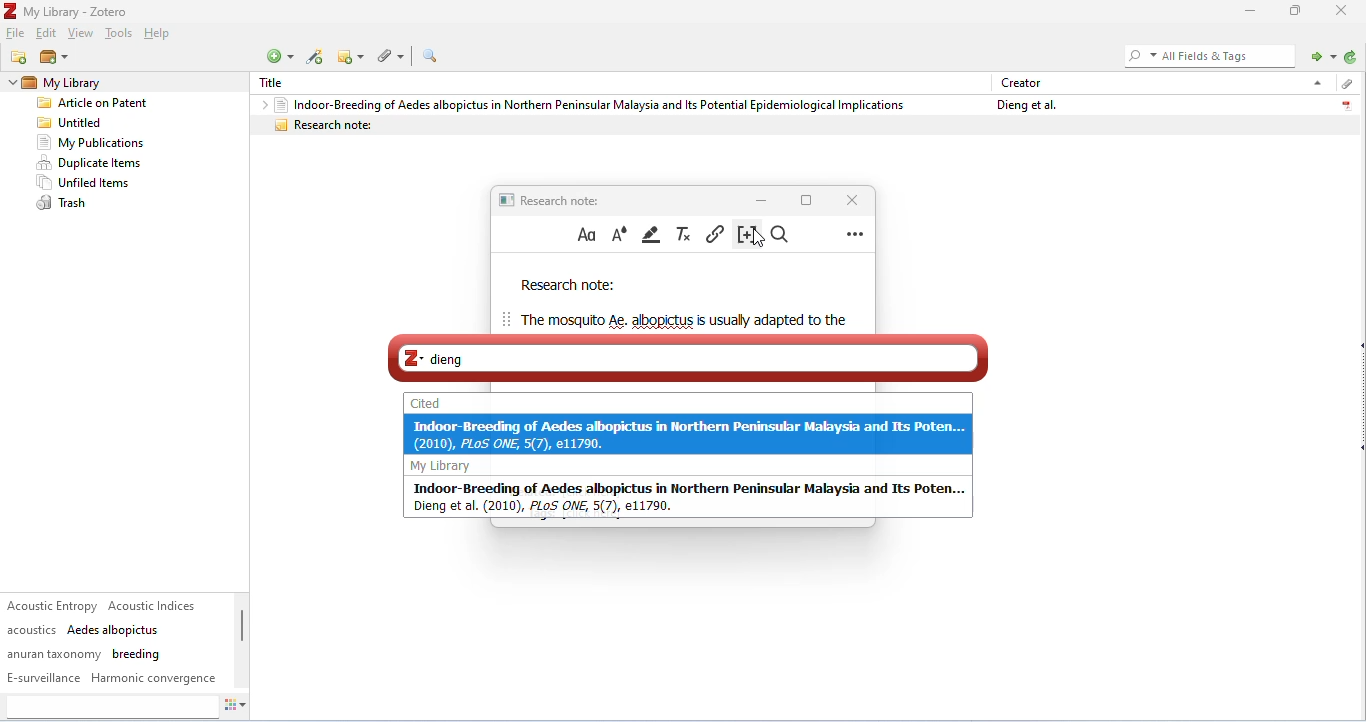  I want to click on new library, so click(53, 58).